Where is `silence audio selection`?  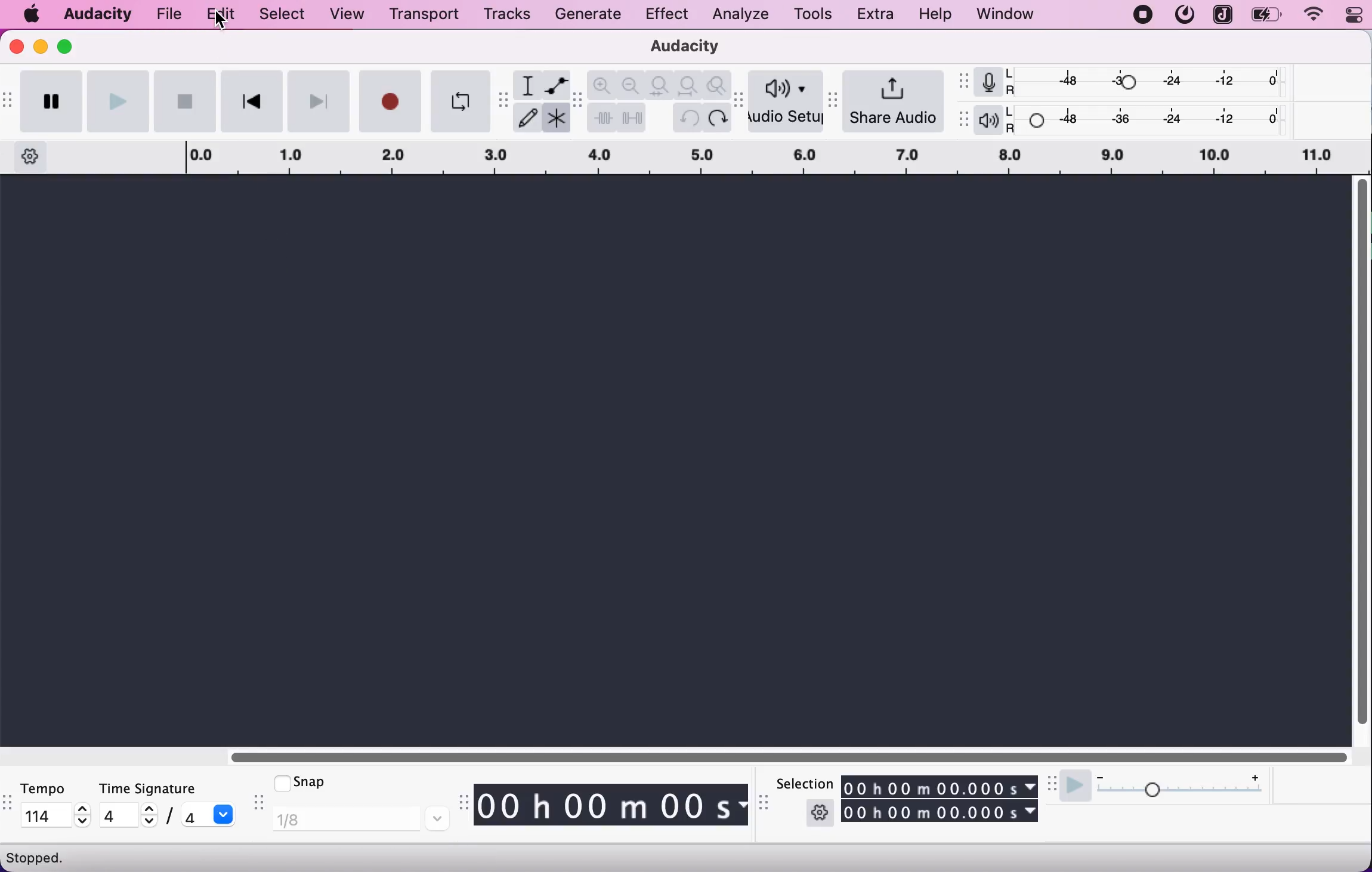
silence audio selection is located at coordinates (633, 118).